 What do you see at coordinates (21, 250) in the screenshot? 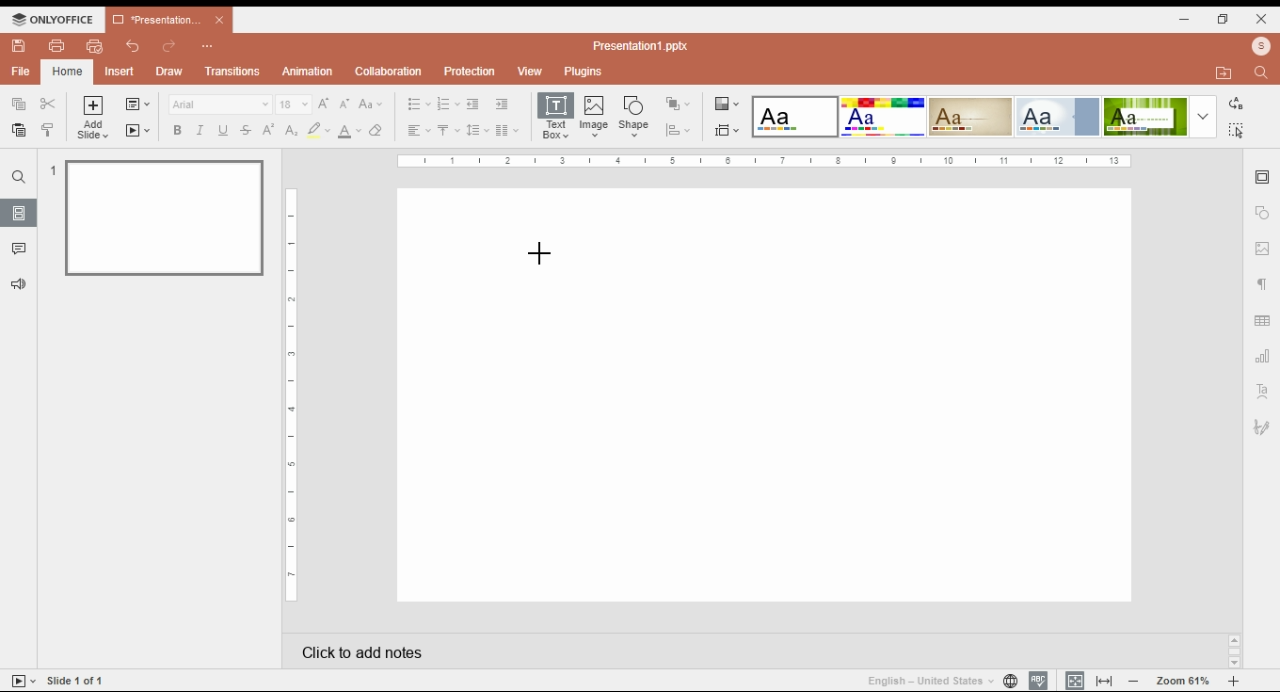
I see `comment` at bounding box center [21, 250].